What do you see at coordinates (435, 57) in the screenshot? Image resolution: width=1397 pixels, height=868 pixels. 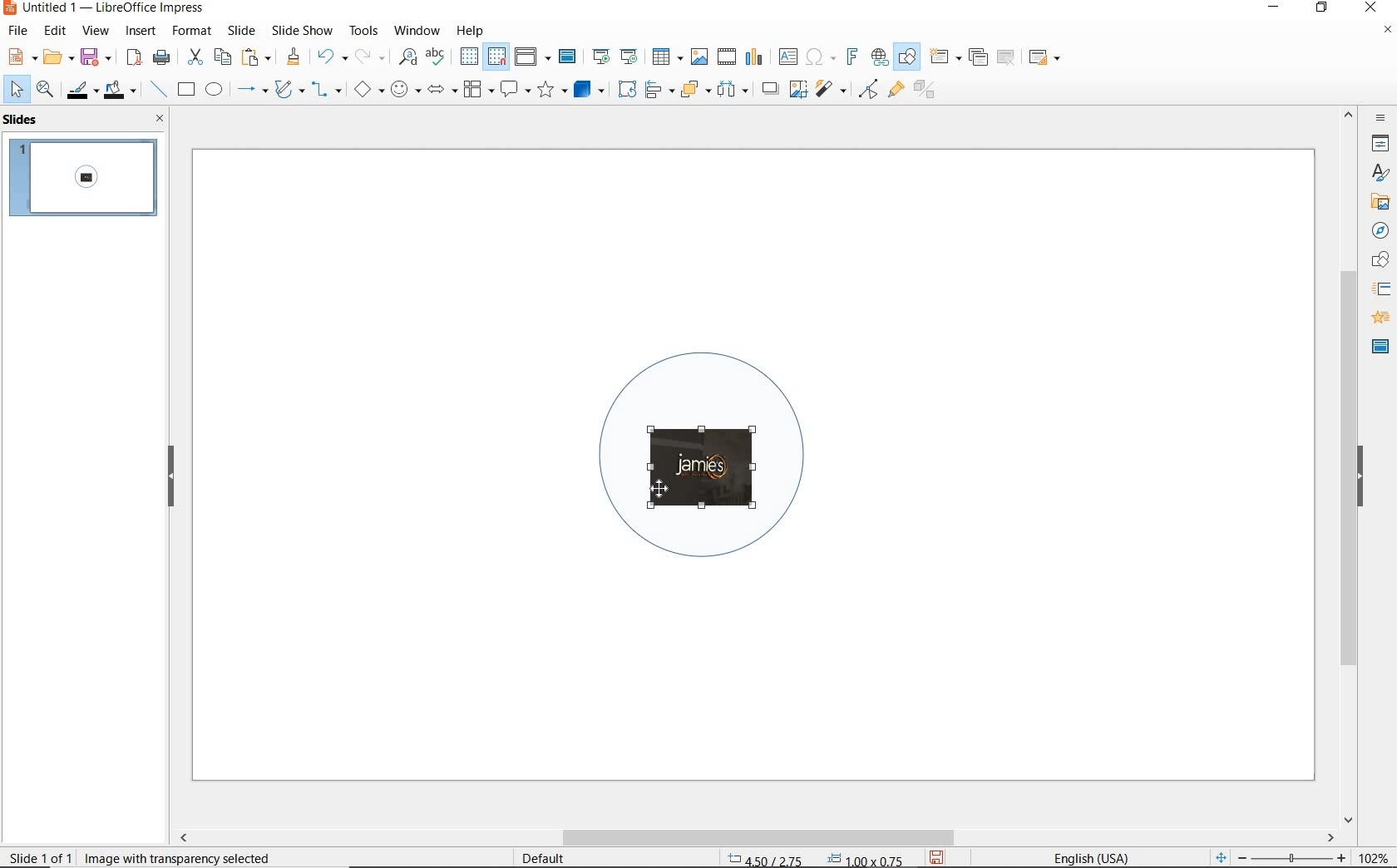 I see `spelling` at bounding box center [435, 57].